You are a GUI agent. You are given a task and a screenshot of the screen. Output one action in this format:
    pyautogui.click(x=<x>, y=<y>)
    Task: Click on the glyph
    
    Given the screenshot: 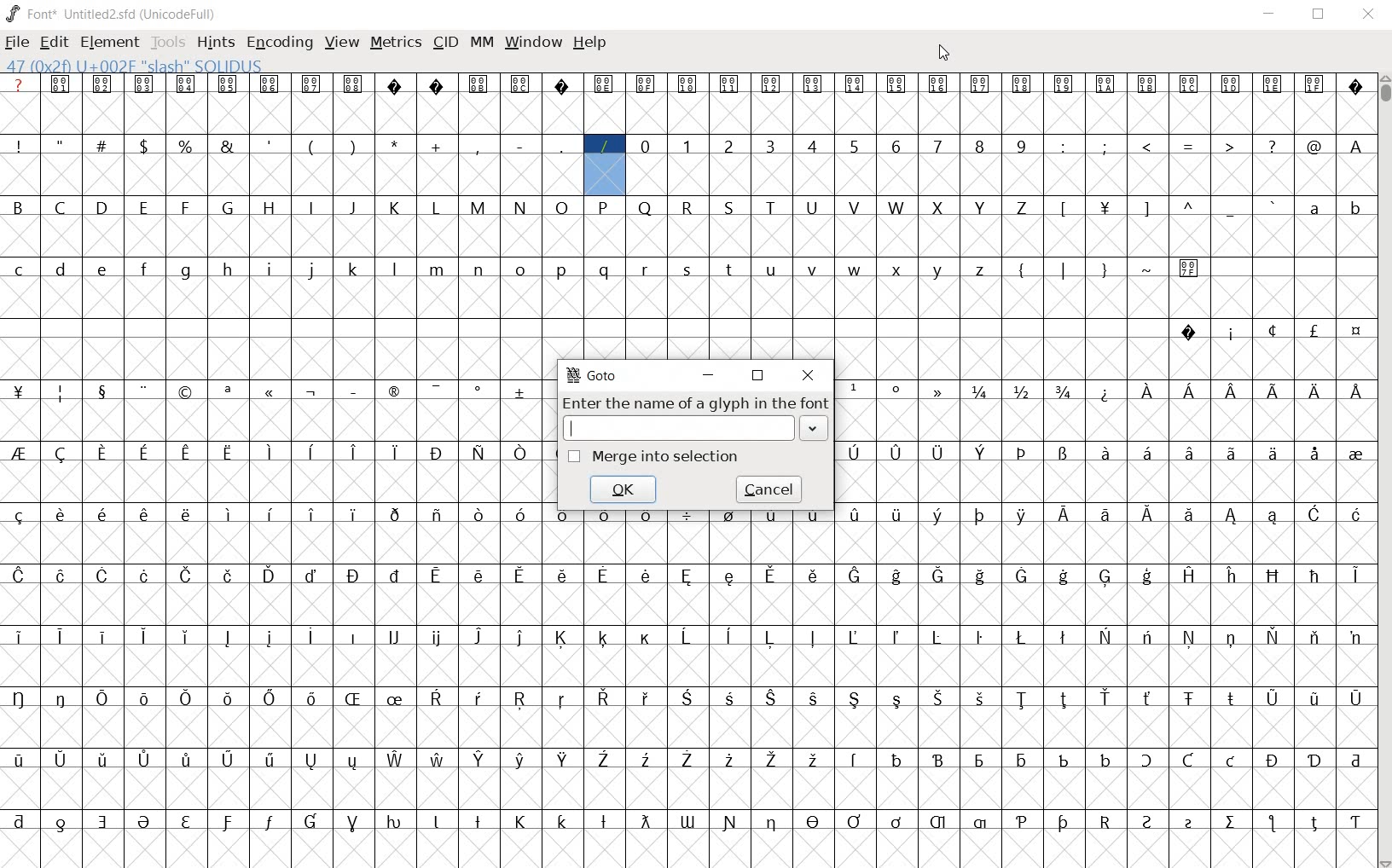 What is the action you would take?
    pyautogui.click(x=228, y=206)
    